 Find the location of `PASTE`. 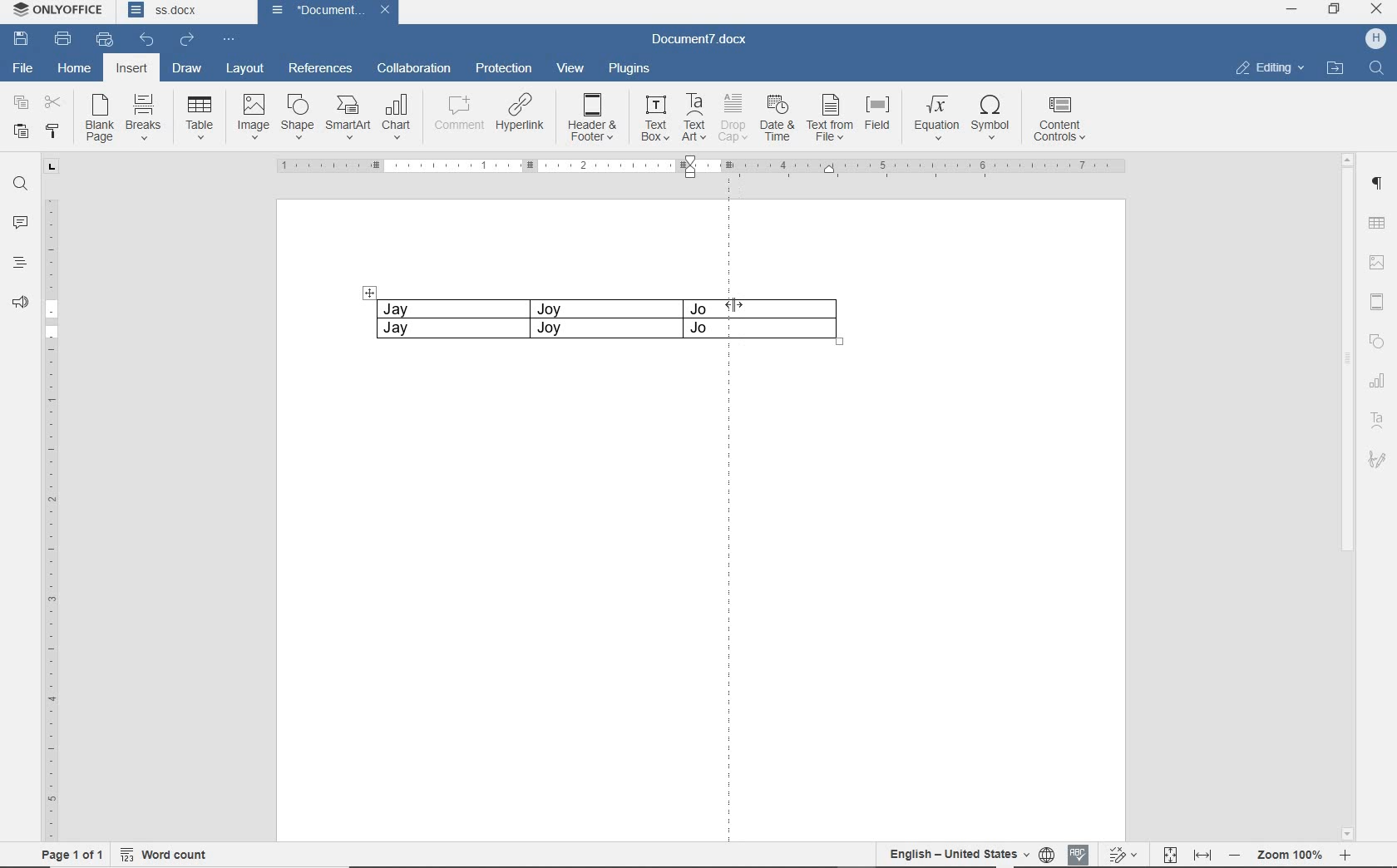

PASTE is located at coordinates (21, 133).